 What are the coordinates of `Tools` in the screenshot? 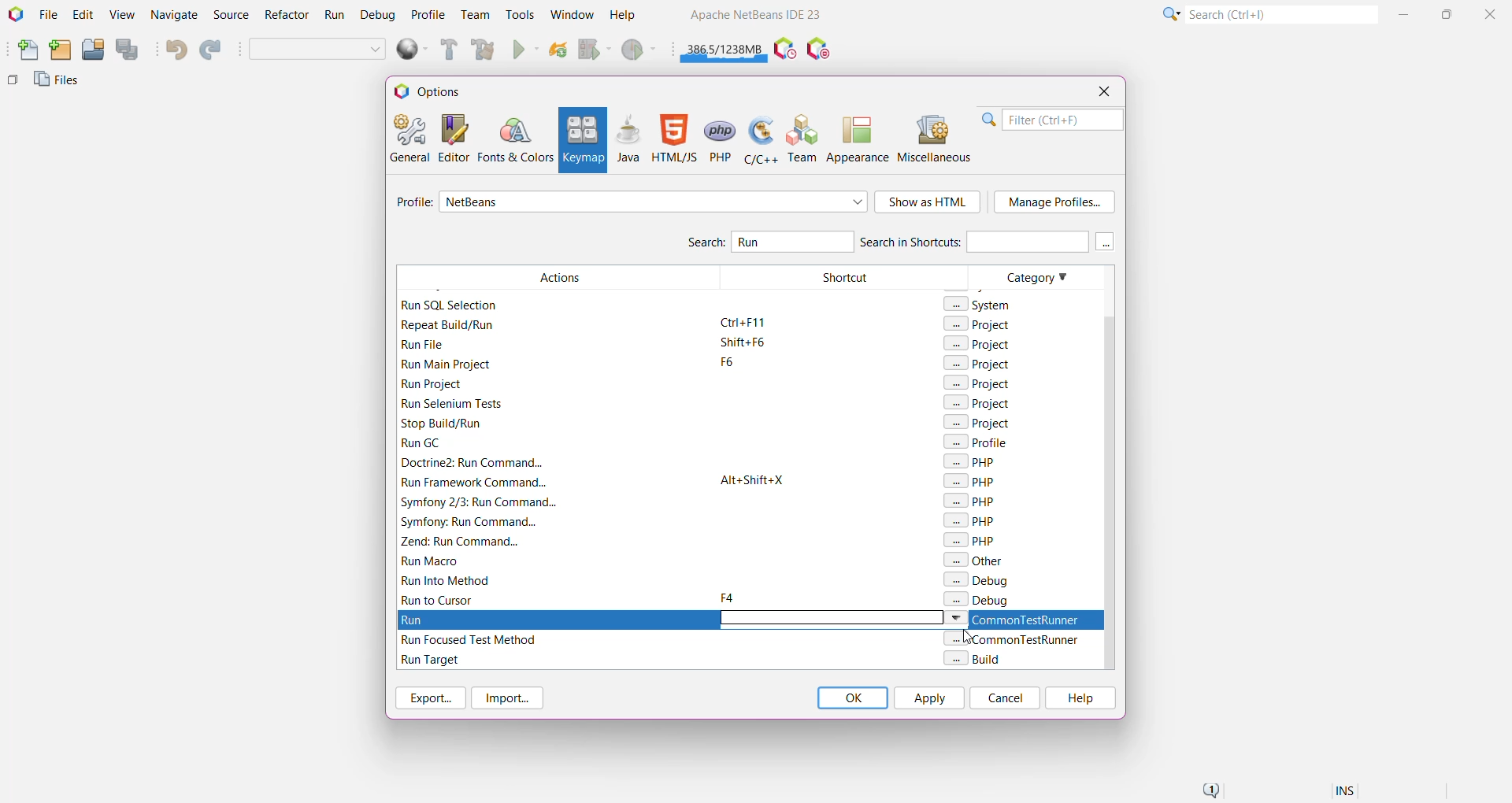 It's located at (521, 13).